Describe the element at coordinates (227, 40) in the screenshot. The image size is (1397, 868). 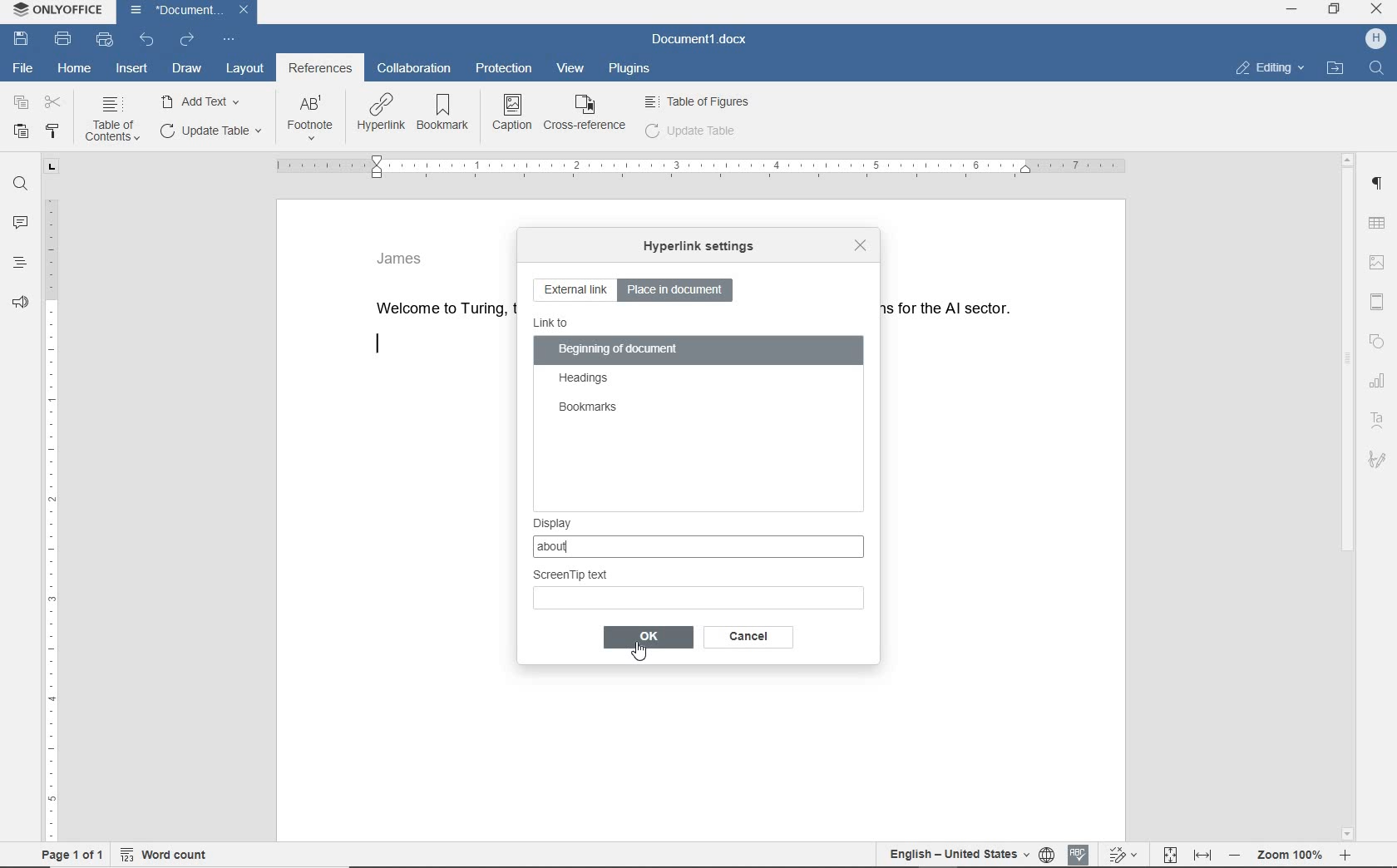
I see `customize quick access bar` at that location.